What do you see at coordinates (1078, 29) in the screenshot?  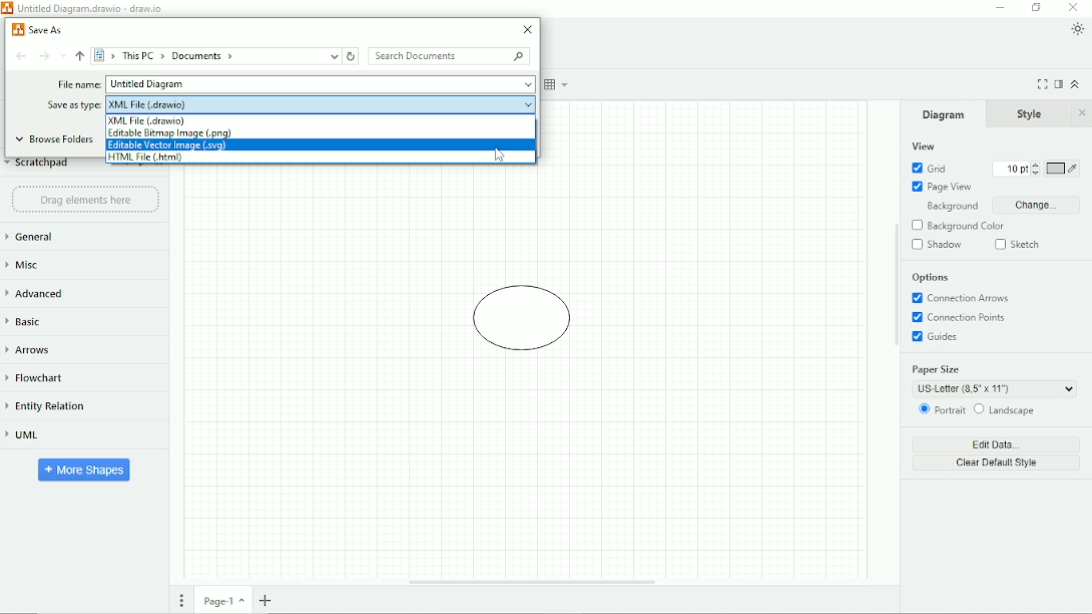 I see `Appearance` at bounding box center [1078, 29].